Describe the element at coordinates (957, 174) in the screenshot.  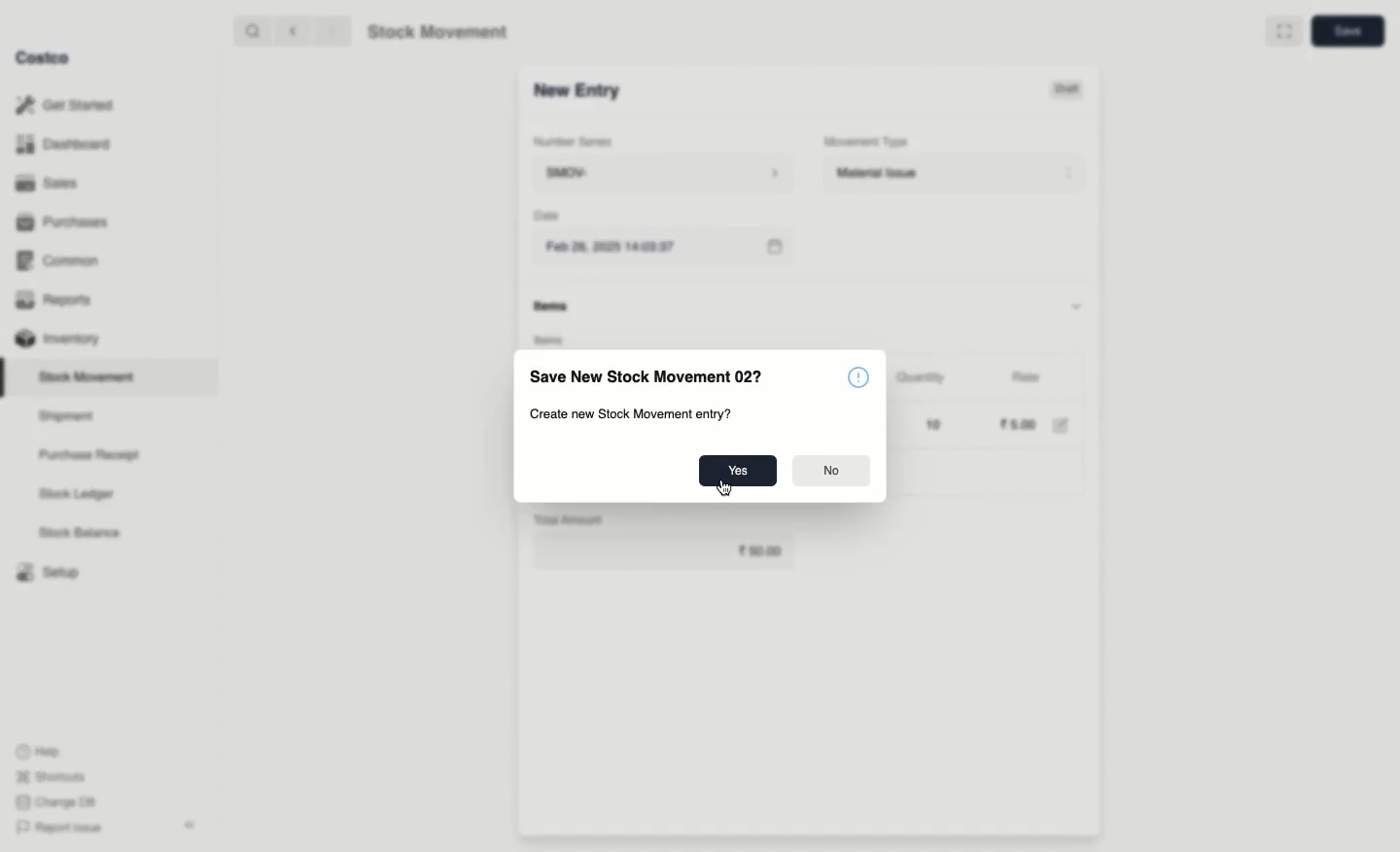
I see `Material Issue` at that location.